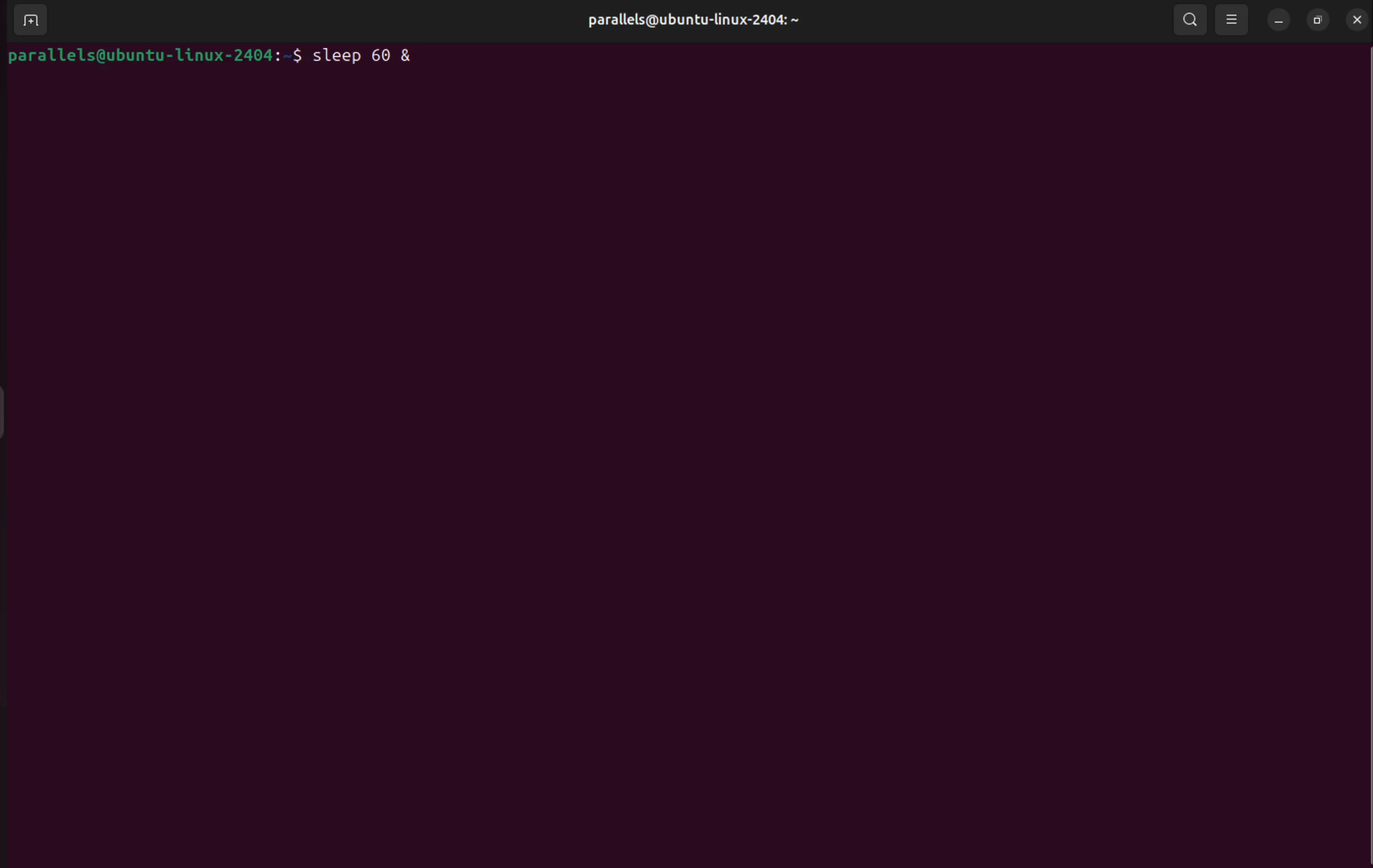  I want to click on Scrollbar, so click(1364, 462).